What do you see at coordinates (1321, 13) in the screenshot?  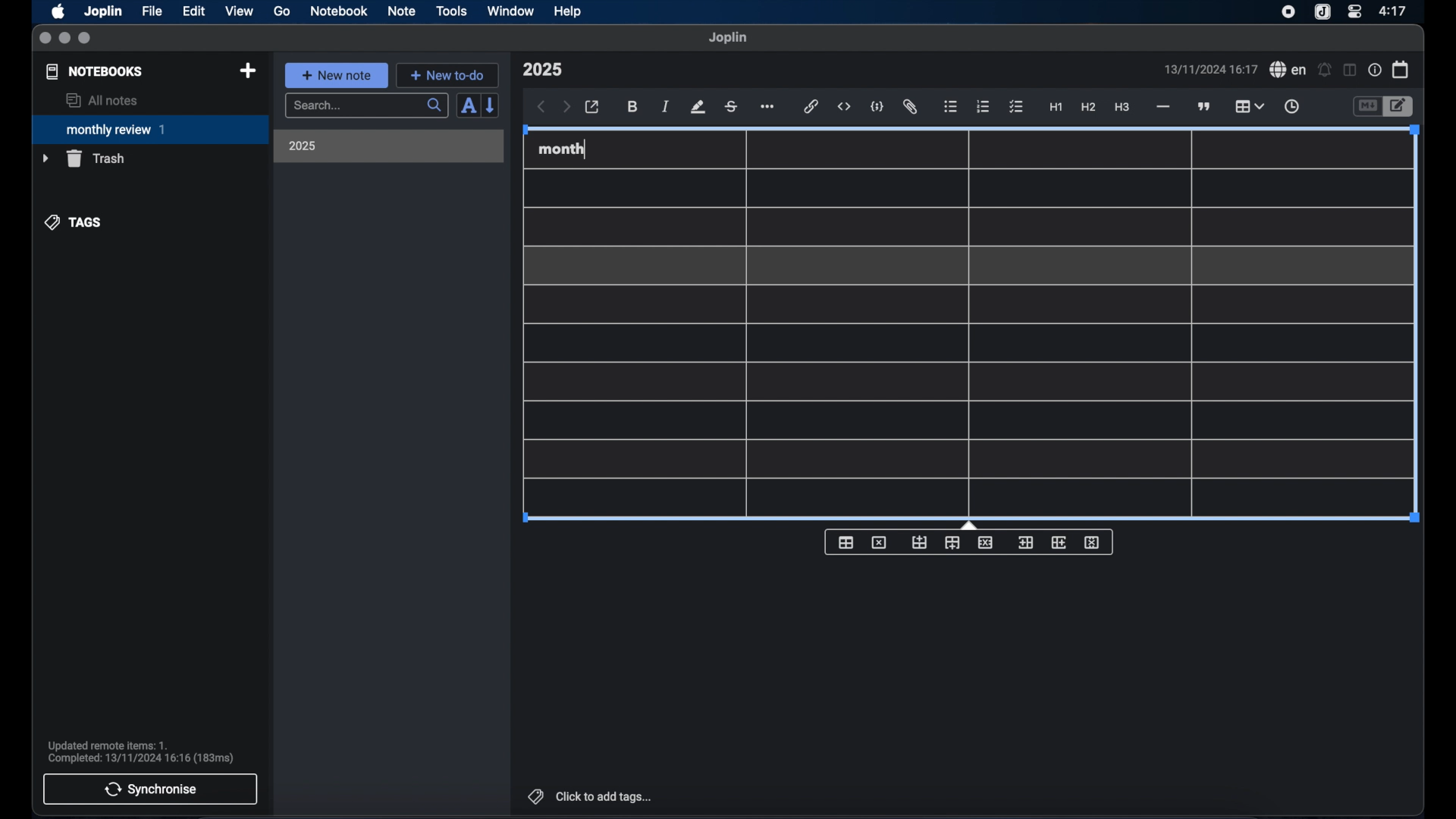 I see `joplin icon` at bounding box center [1321, 13].